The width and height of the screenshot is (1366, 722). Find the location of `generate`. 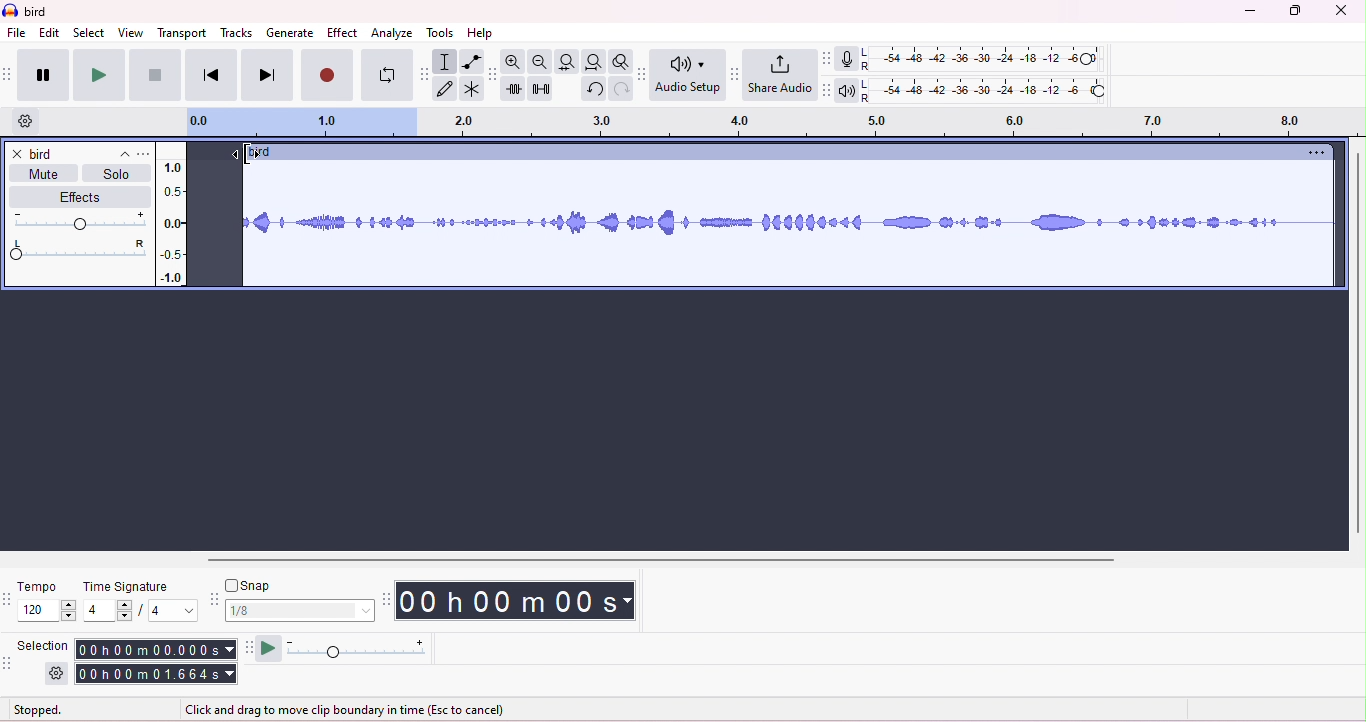

generate is located at coordinates (289, 33).